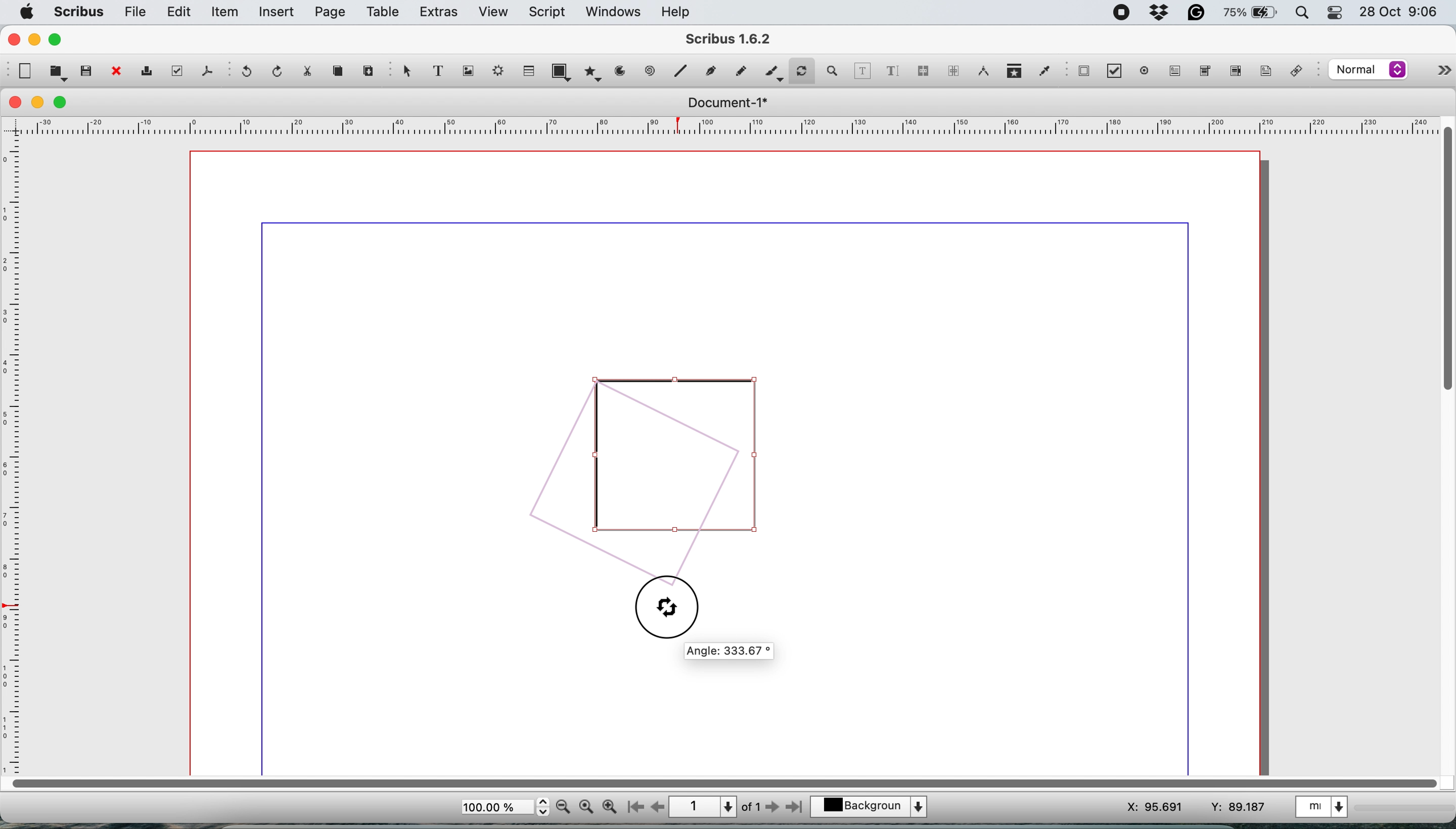 The width and height of the screenshot is (1456, 829). What do you see at coordinates (592, 75) in the screenshot?
I see `polygon` at bounding box center [592, 75].